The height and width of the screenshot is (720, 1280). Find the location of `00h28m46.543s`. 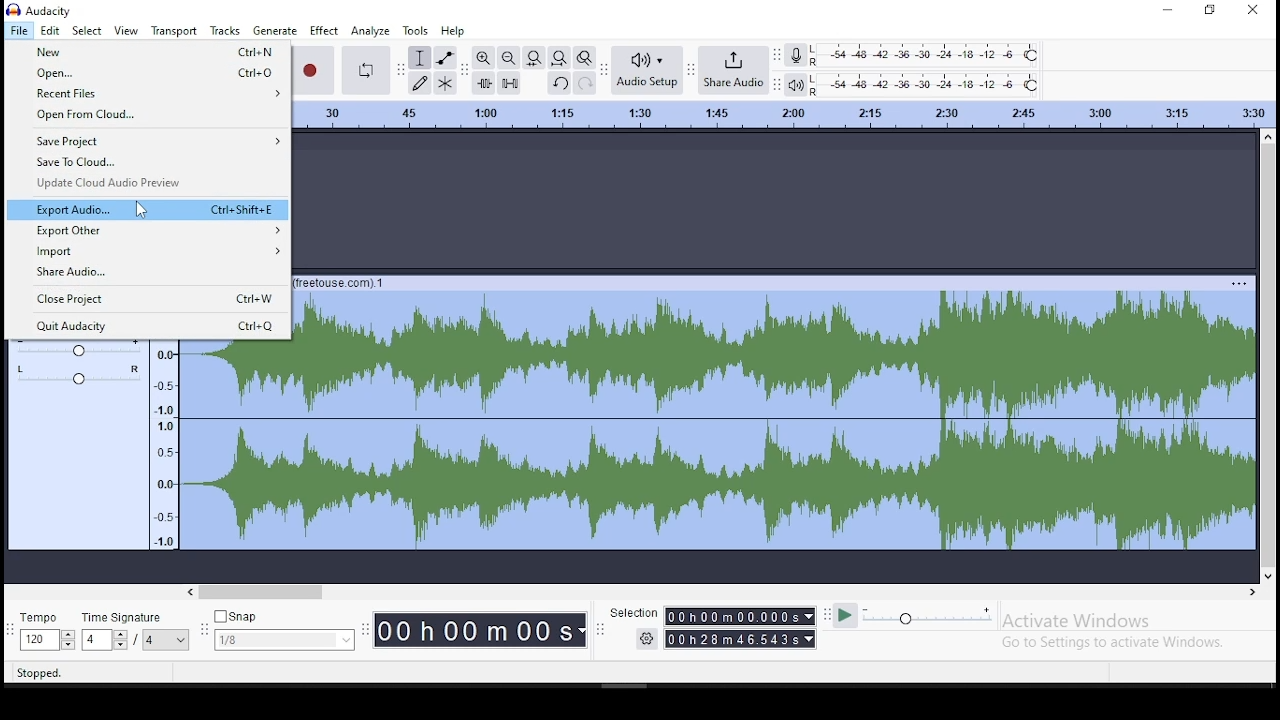

00h28m46.543s is located at coordinates (740, 640).